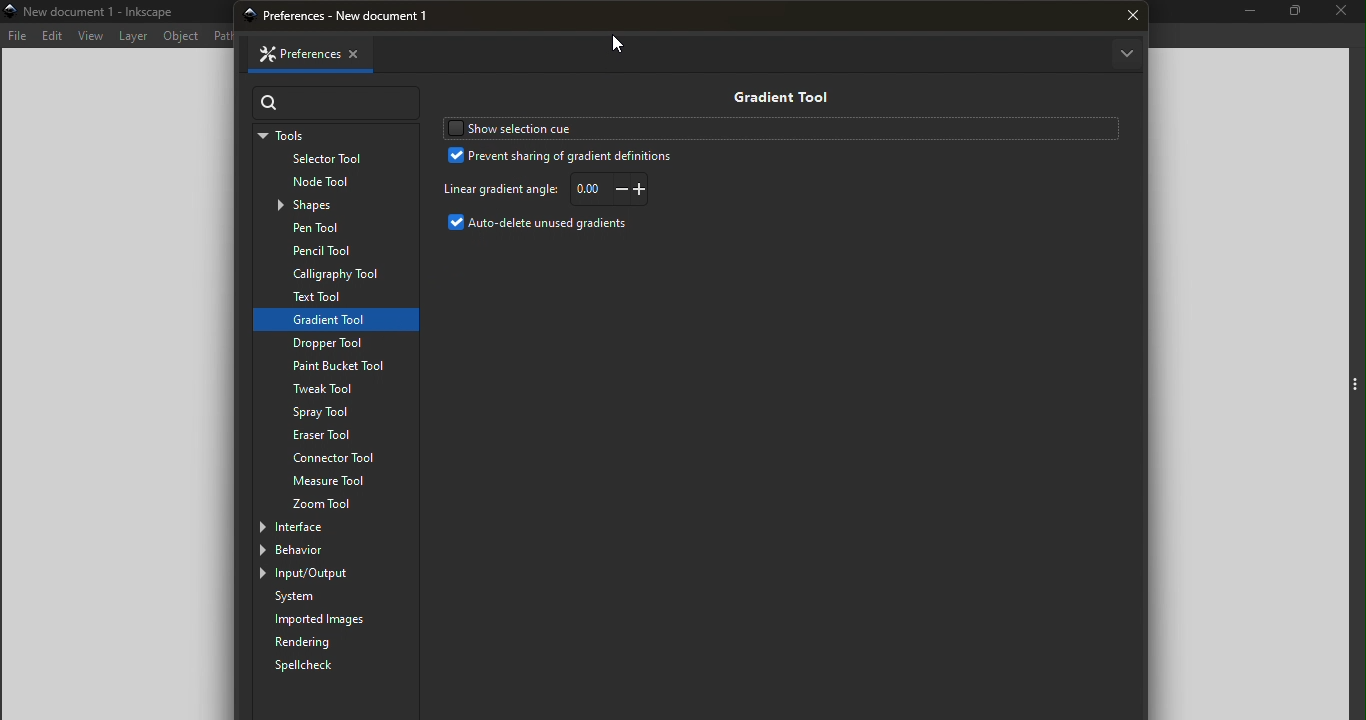 The width and height of the screenshot is (1366, 720). I want to click on Rendering, so click(333, 642).